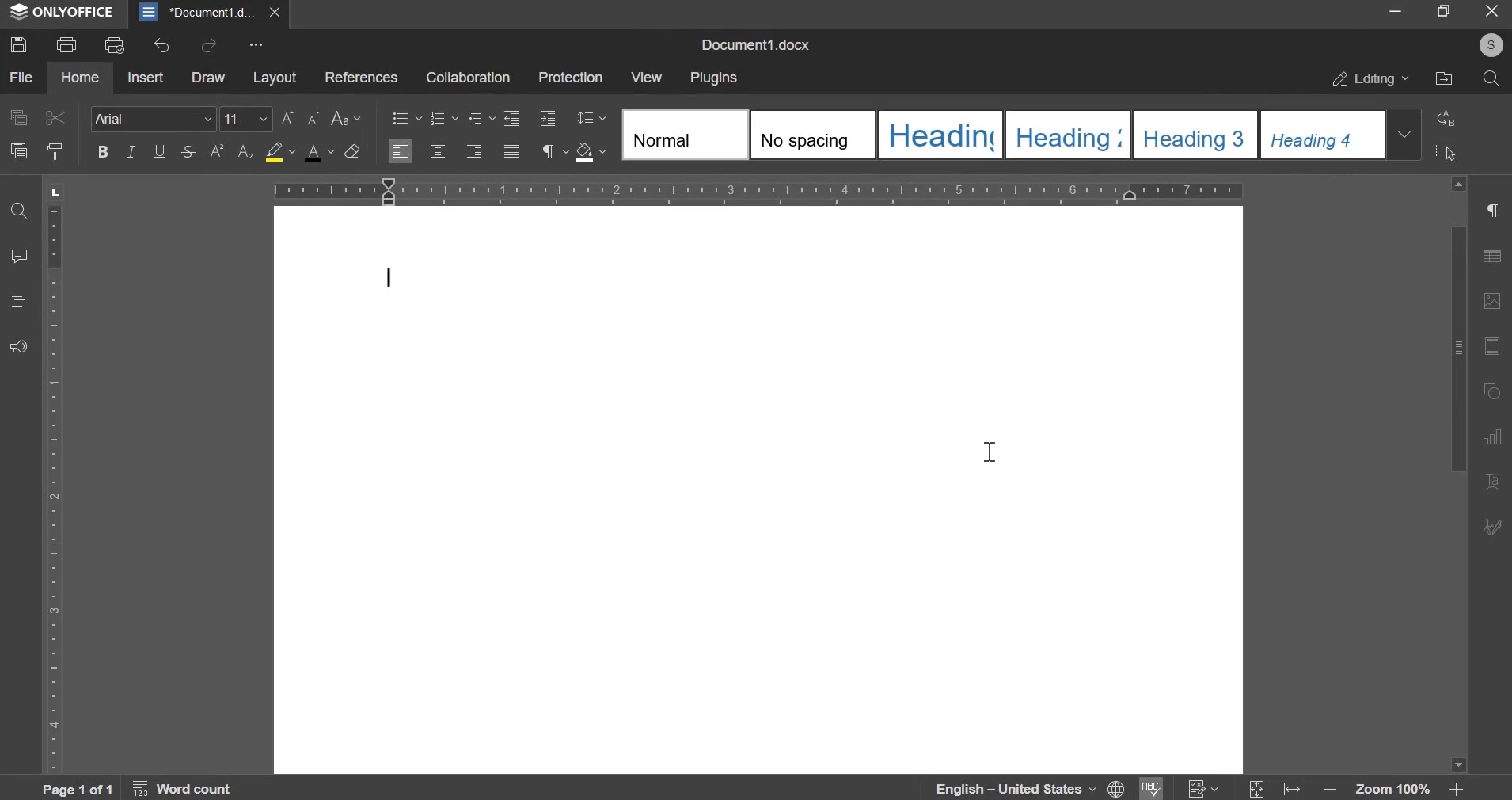 The image size is (1512, 800). What do you see at coordinates (145, 78) in the screenshot?
I see `insert` at bounding box center [145, 78].